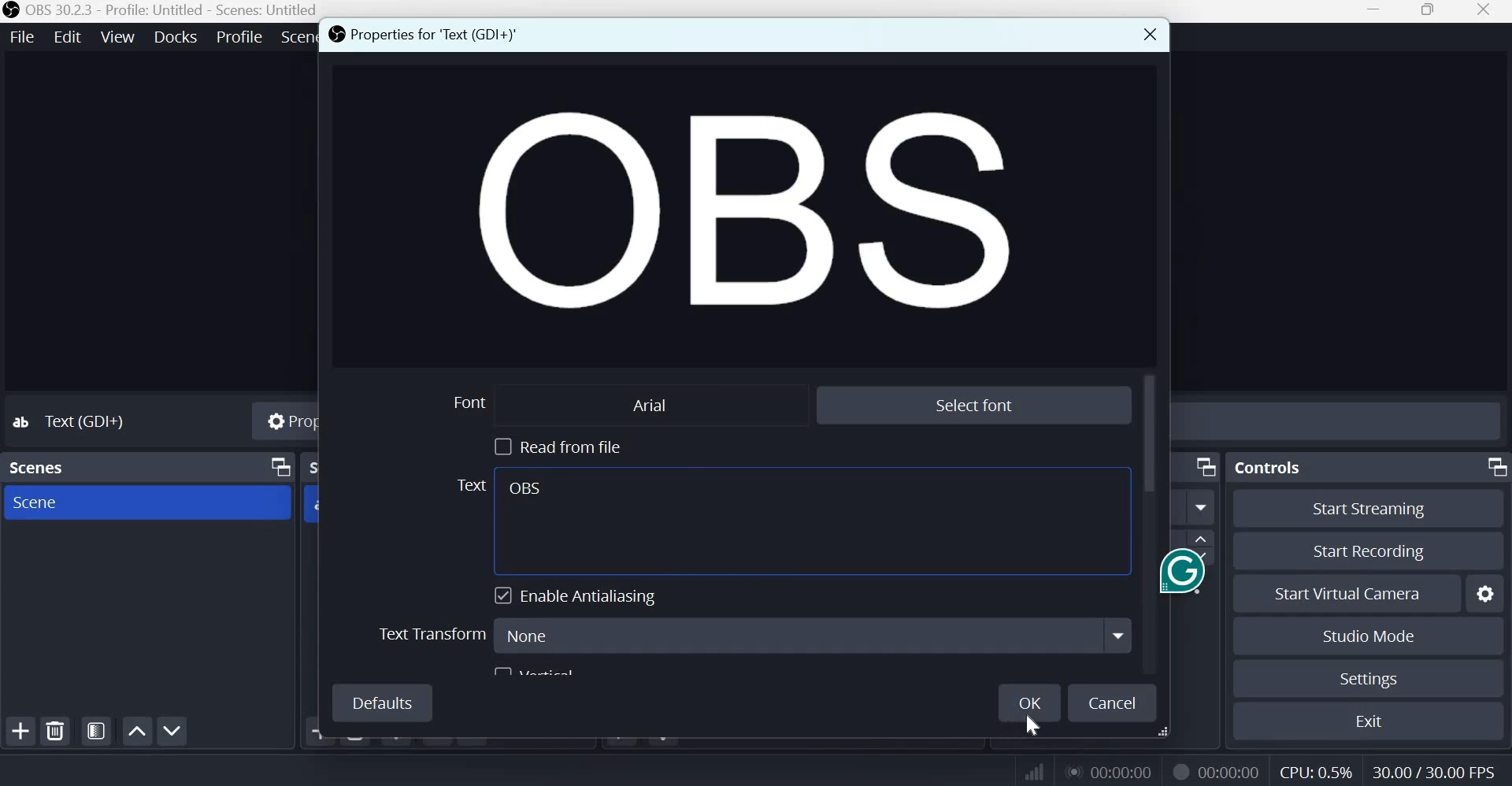 The height and width of the screenshot is (786, 1512). Describe the element at coordinates (1204, 465) in the screenshot. I see ` Dock Options icon` at that location.